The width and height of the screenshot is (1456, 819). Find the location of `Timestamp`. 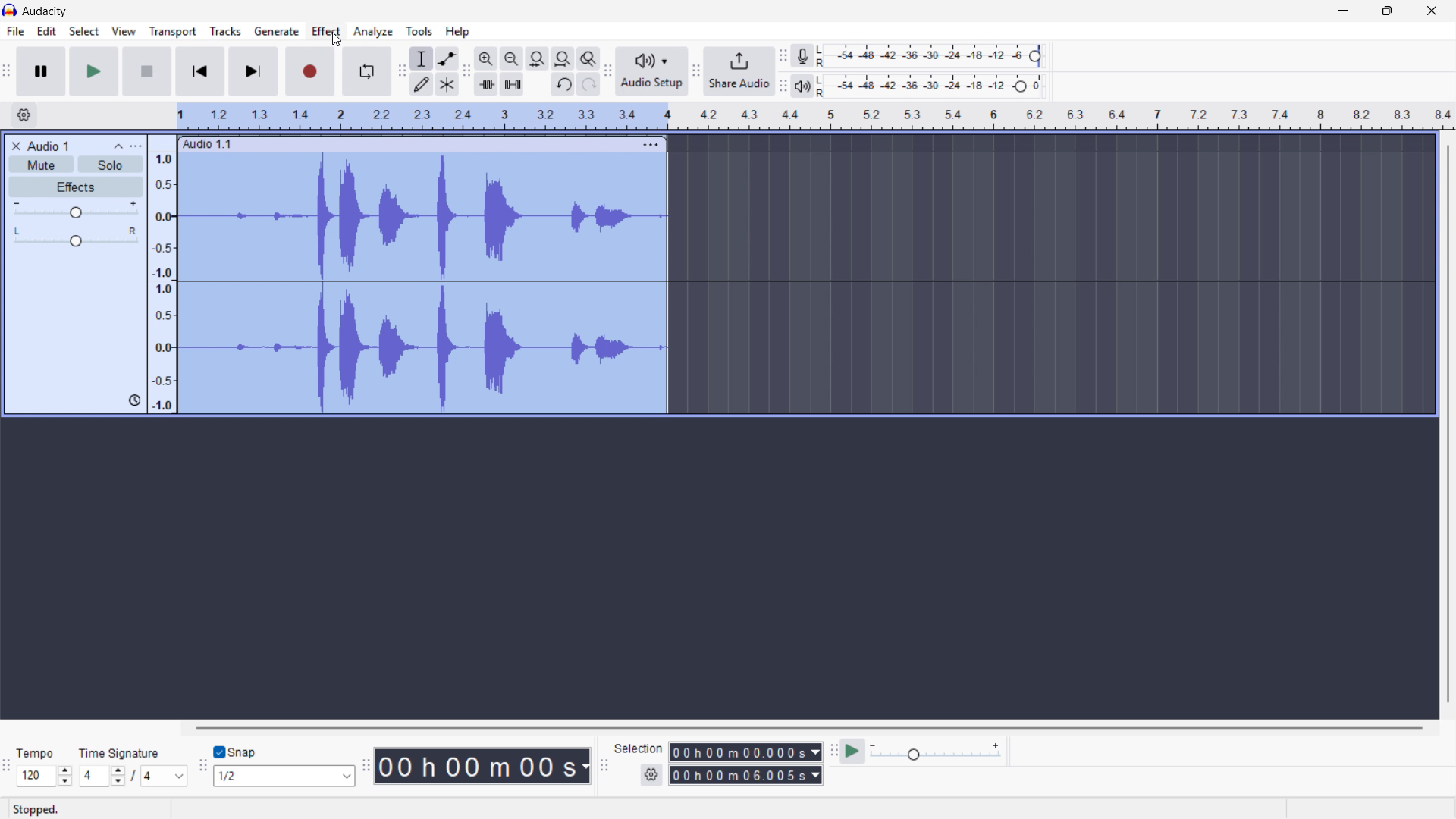

Timestamp is located at coordinates (483, 766).